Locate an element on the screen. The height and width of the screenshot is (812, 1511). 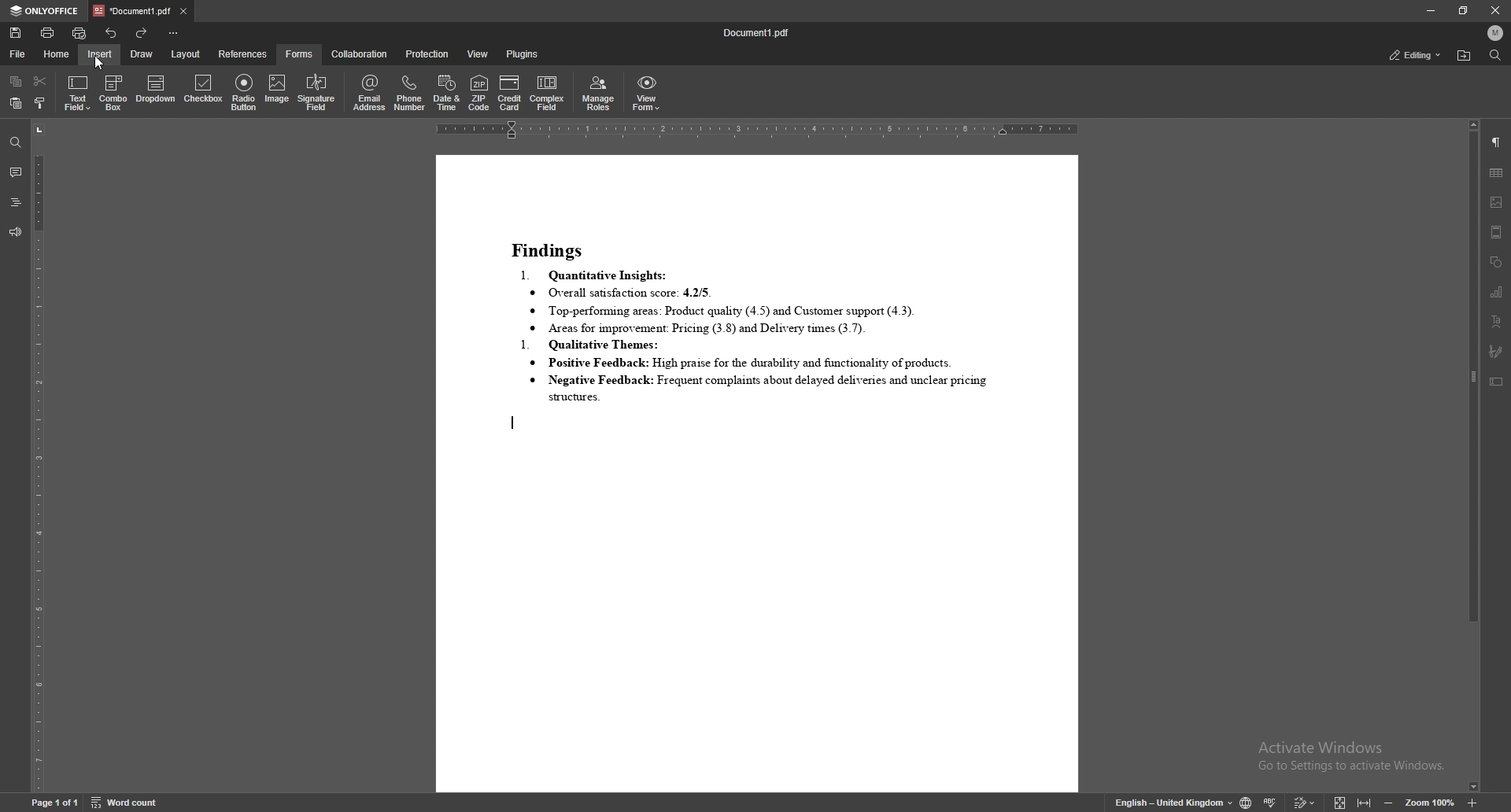
locate file is located at coordinates (1465, 55).